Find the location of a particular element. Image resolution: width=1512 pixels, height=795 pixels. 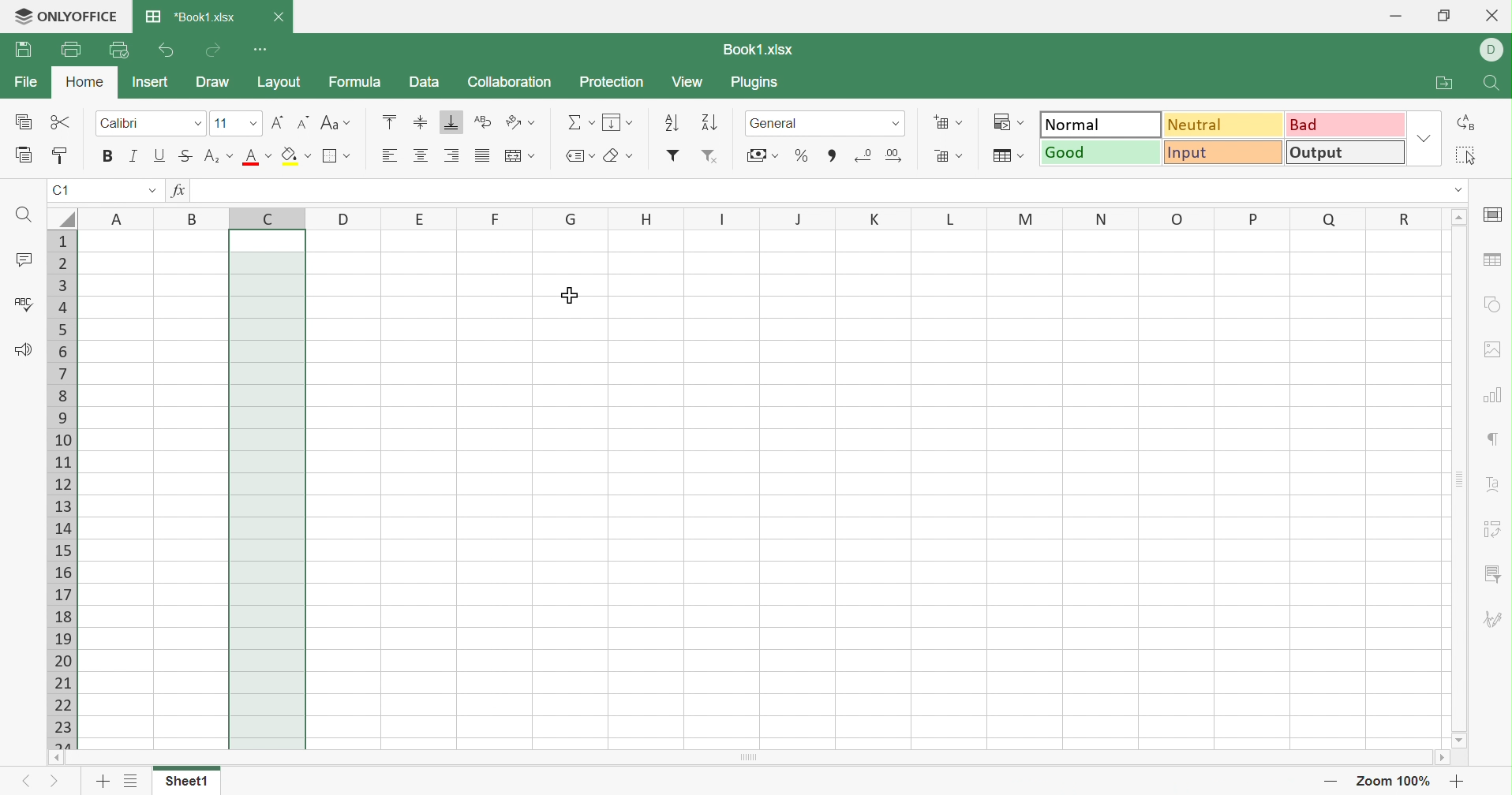

Calibri is located at coordinates (119, 121).